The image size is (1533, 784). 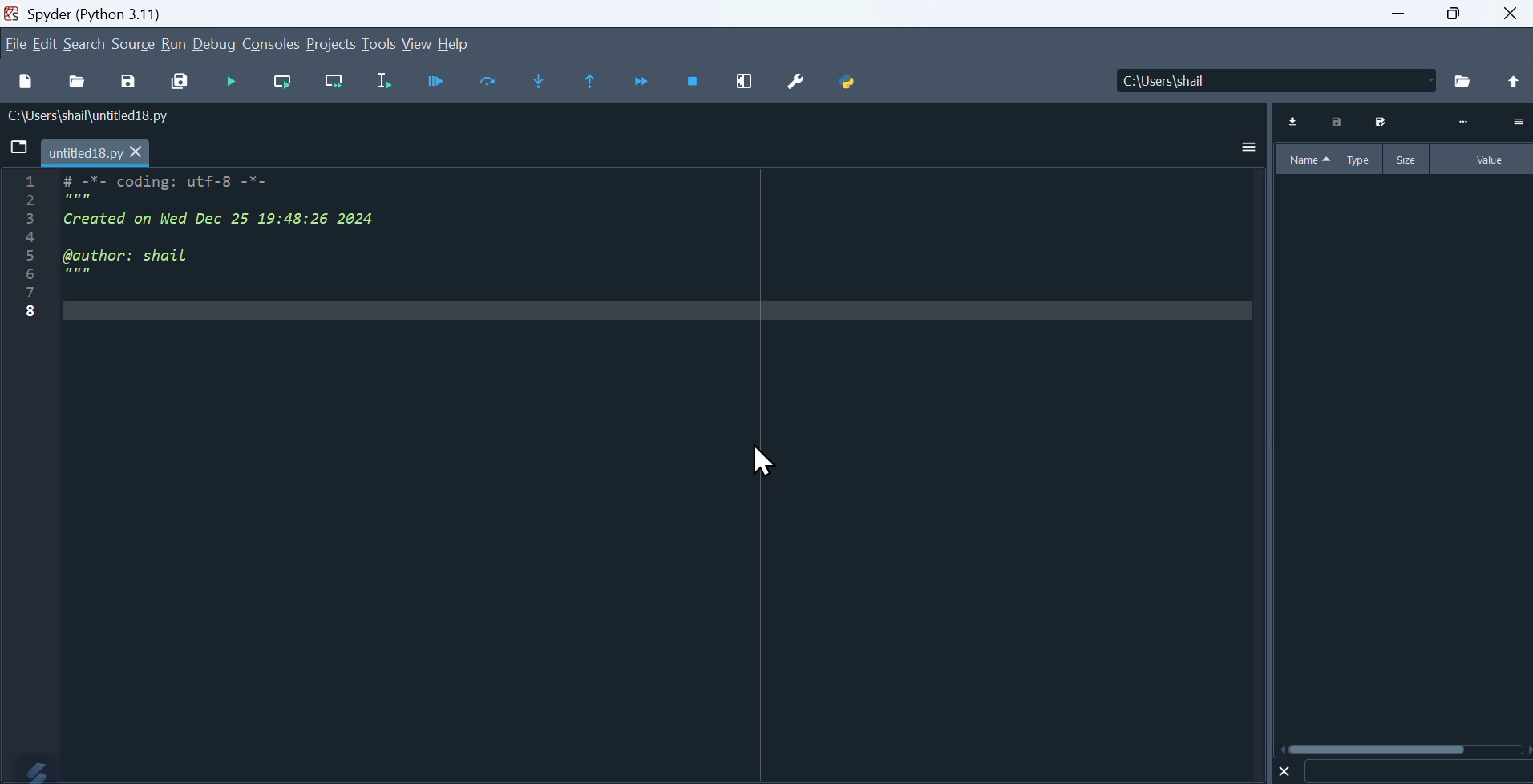 I want to click on C:\Users\shail\untitled18.py, so click(x=85, y=117).